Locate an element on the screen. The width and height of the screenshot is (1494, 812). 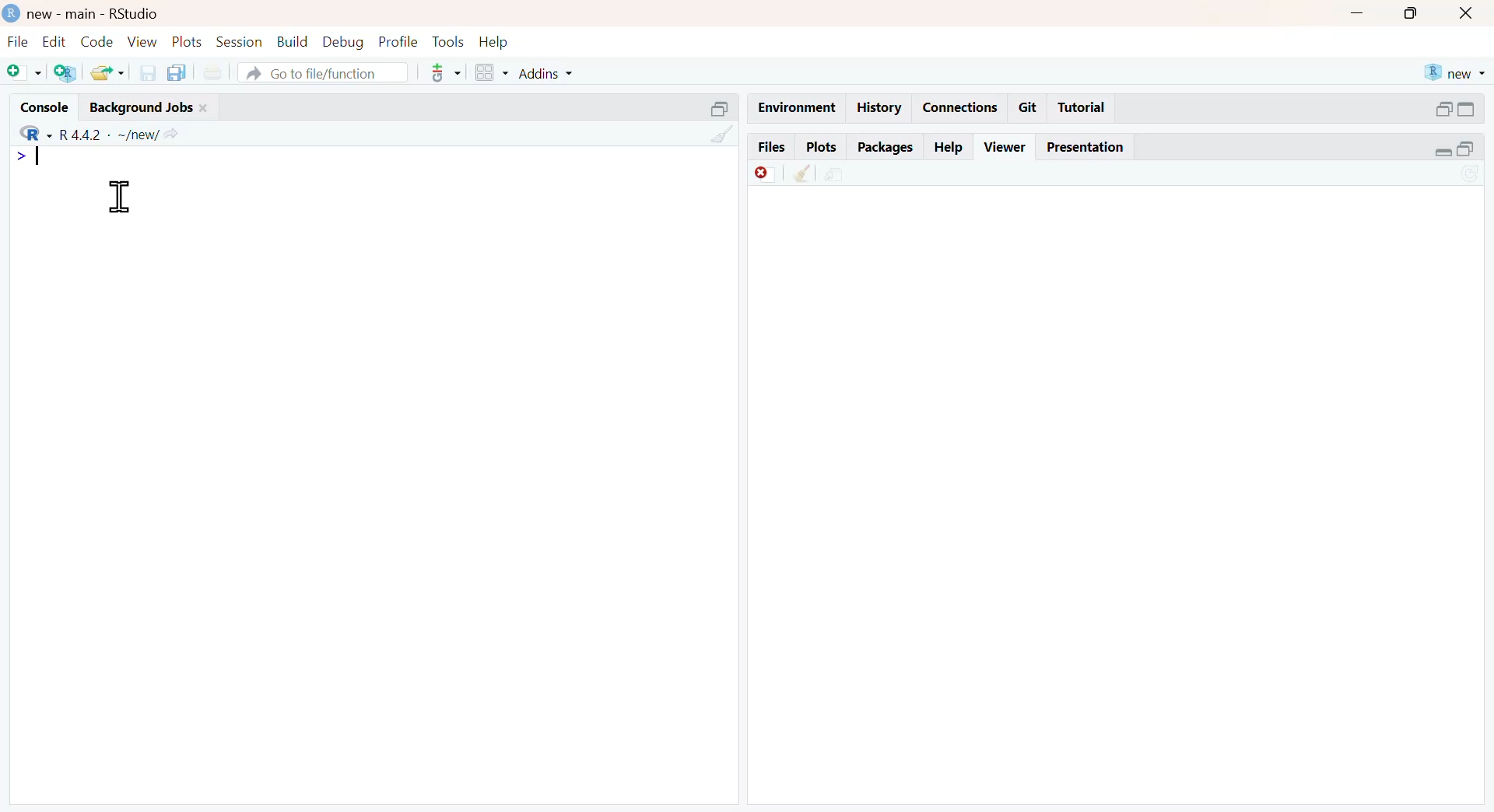
connections is located at coordinates (961, 107).